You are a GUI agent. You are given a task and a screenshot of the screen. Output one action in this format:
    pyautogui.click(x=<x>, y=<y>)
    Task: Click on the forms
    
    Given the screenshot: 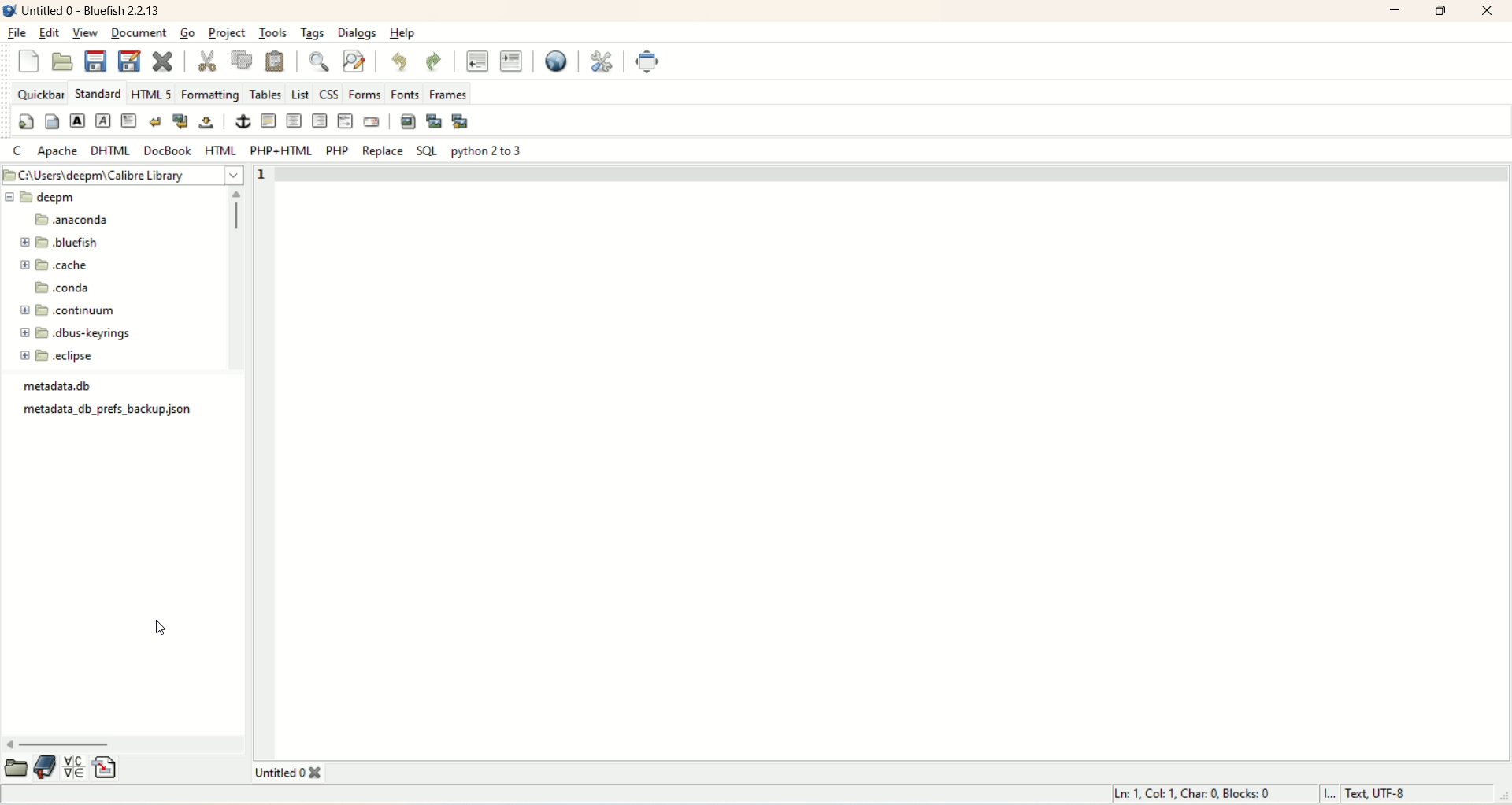 What is the action you would take?
    pyautogui.click(x=366, y=94)
    